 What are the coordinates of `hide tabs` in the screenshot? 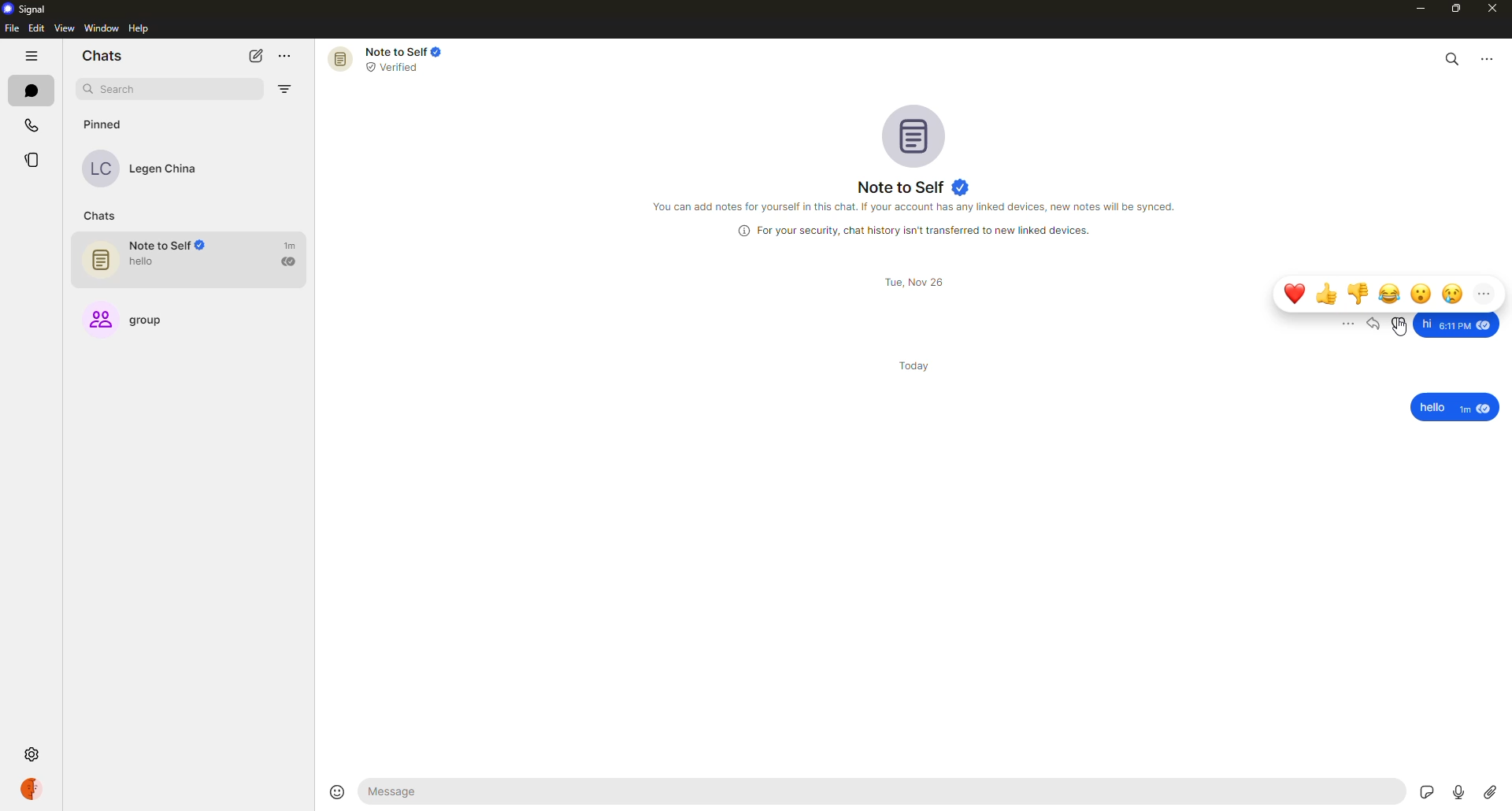 It's located at (31, 57).